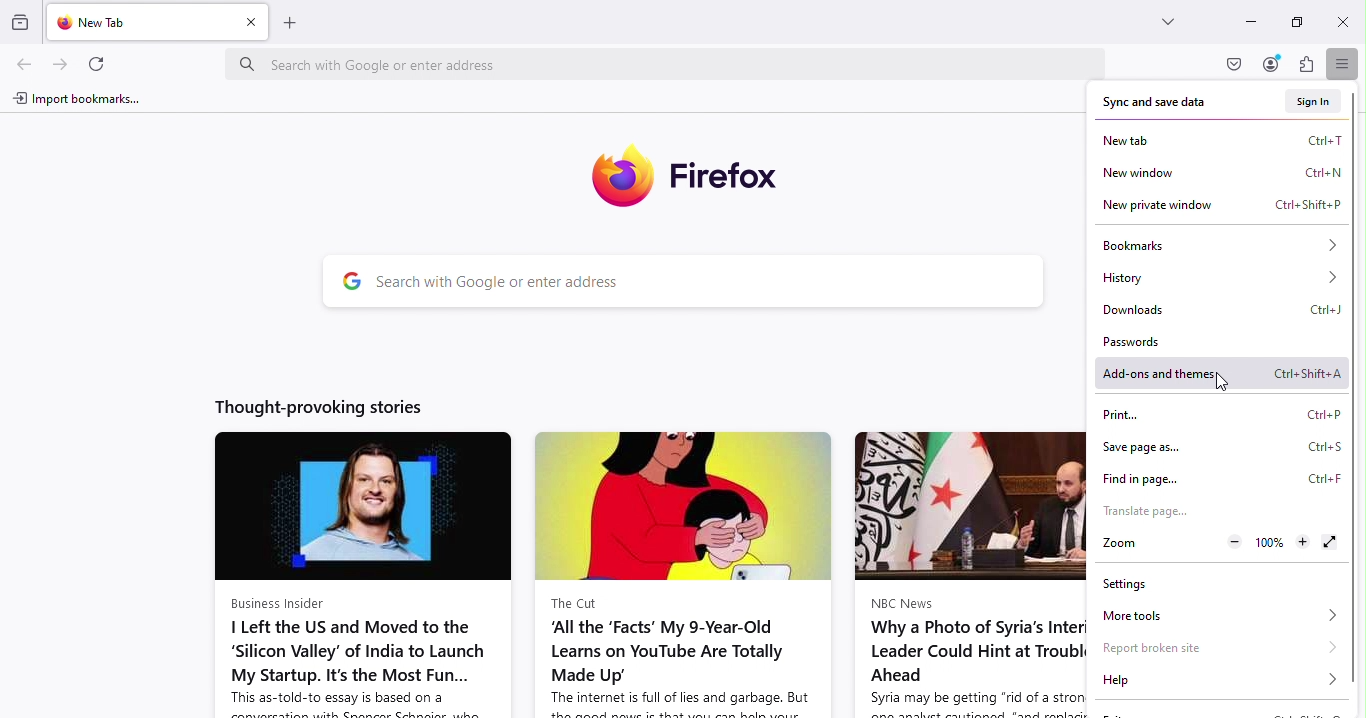  Describe the element at coordinates (1164, 341) in the screenshot. I see `Passwords` at that location.